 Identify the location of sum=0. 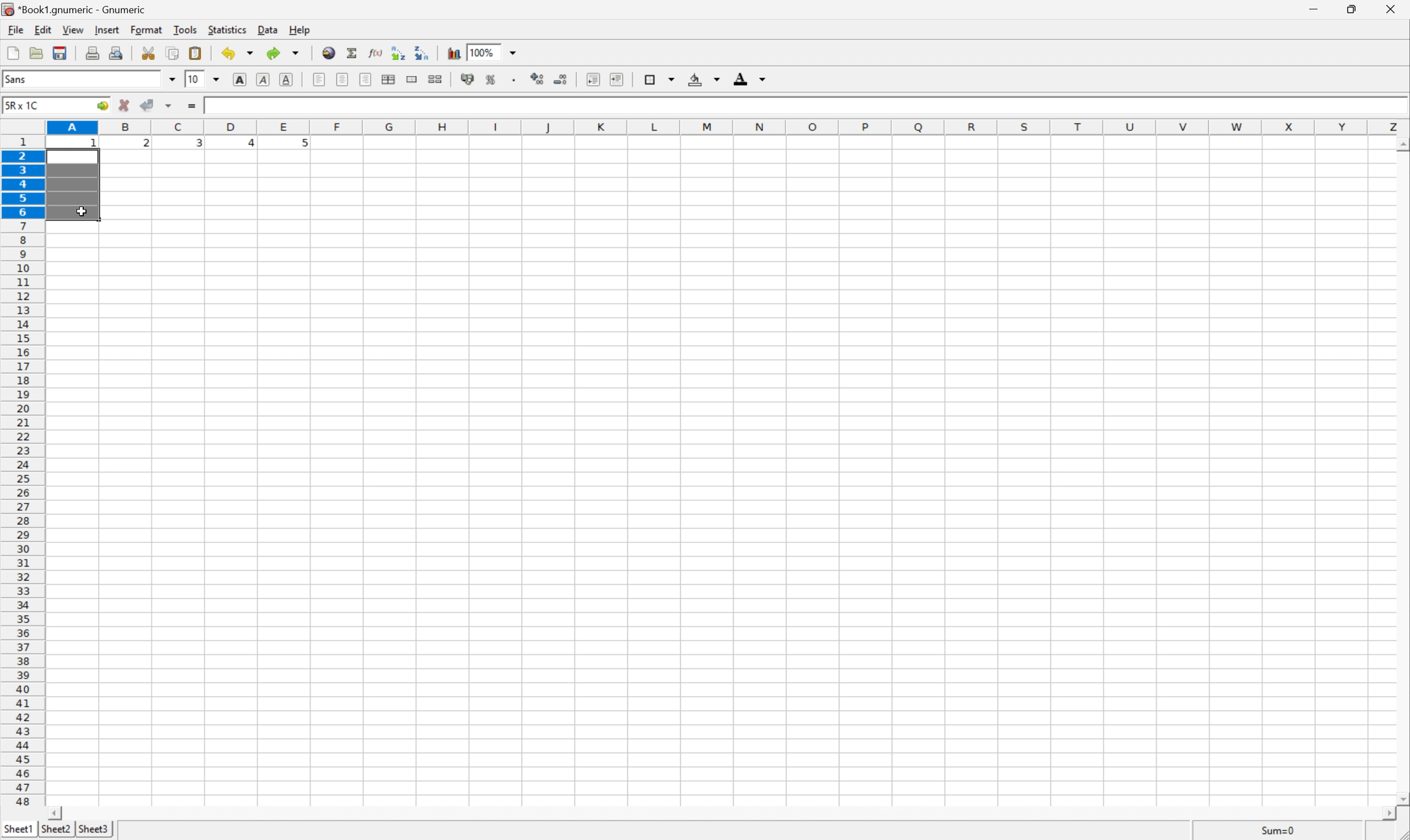
(1269, 830).